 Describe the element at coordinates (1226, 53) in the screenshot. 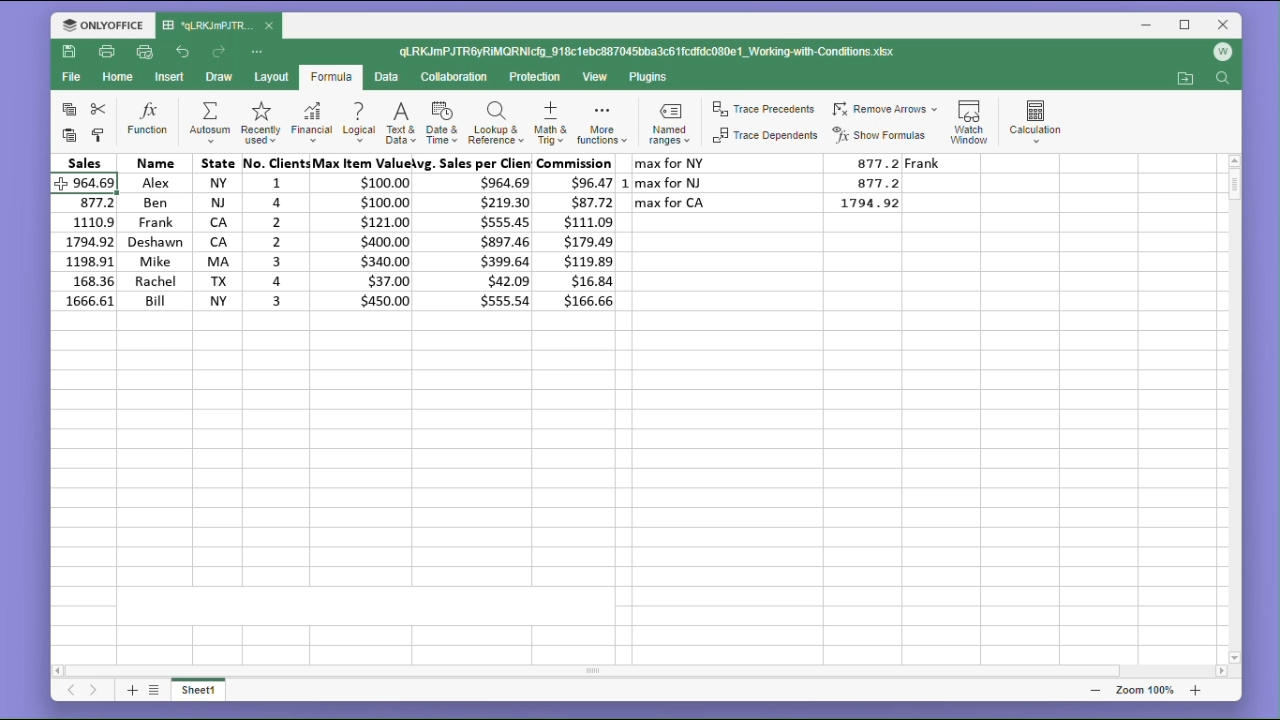

I see `account  logo` at that location.